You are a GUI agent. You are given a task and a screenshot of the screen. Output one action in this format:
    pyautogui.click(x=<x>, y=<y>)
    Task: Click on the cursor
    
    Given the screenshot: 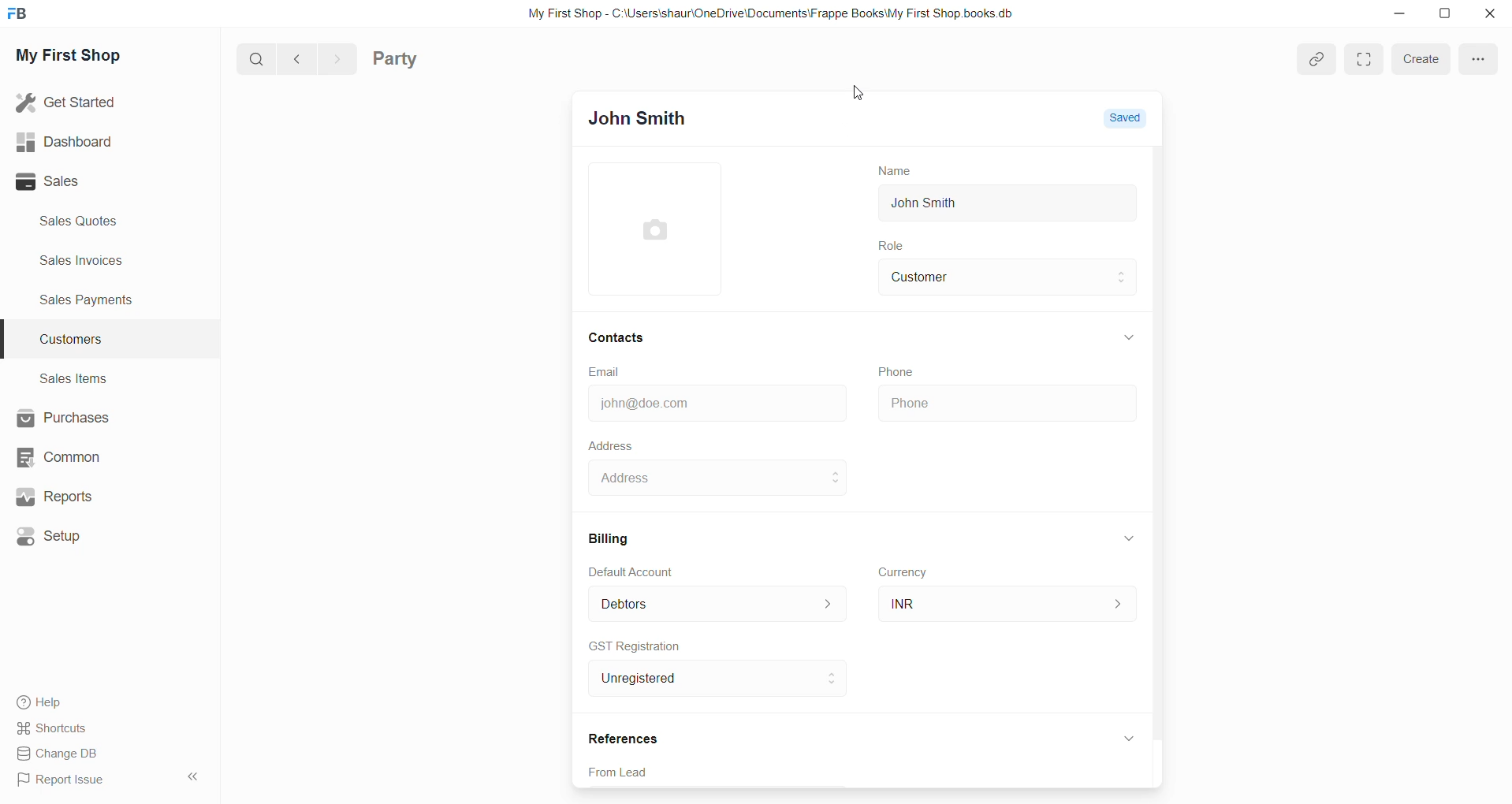 What is the action you would take?
    pyautogui.click(x=846, y=553)
    